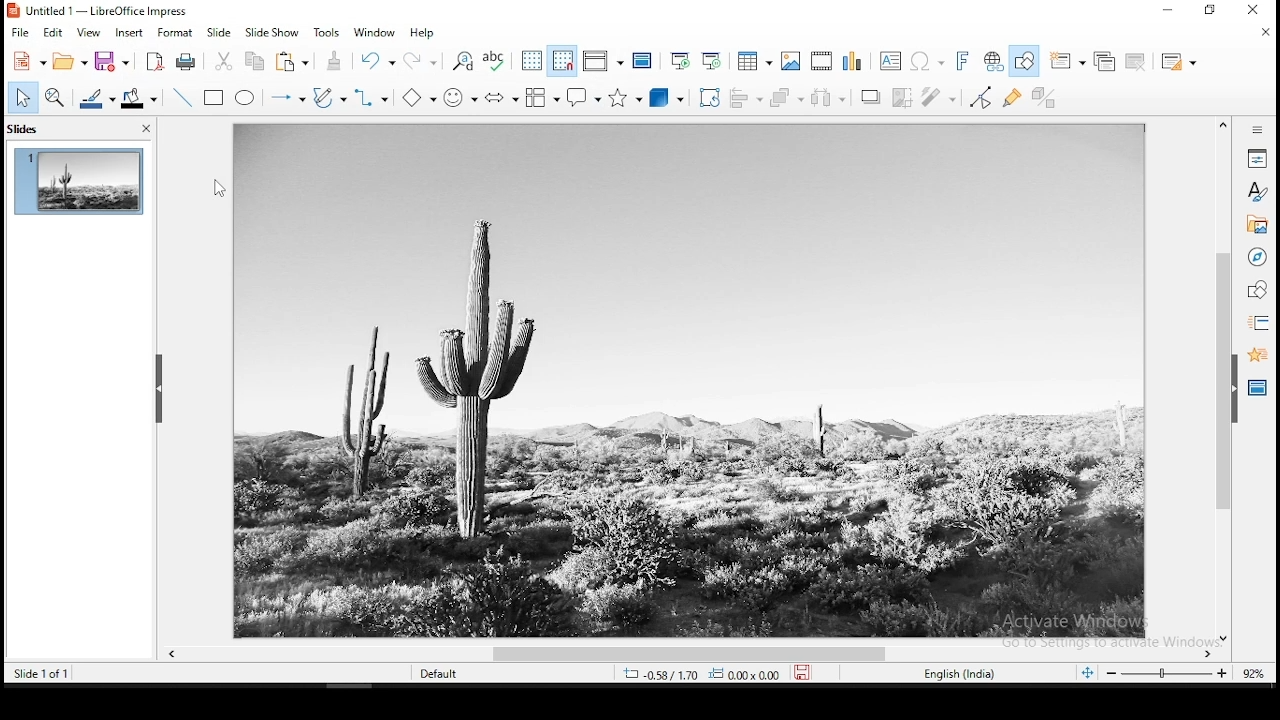 The width and height of the screenshot is (1280, 720). I want to click on paste, so click(295, 62).